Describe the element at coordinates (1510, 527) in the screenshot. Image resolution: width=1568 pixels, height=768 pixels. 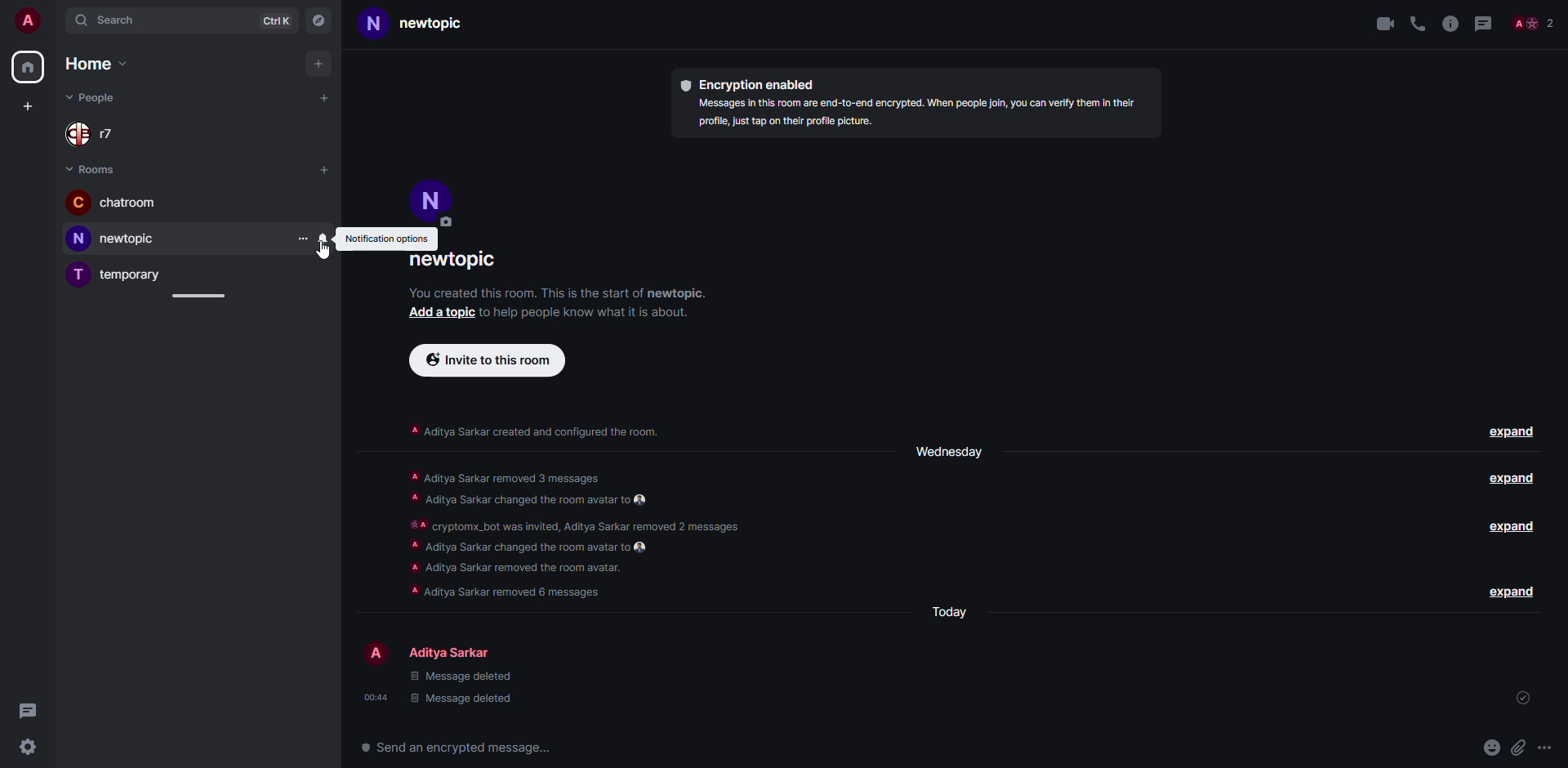
I see `expand` at that location.